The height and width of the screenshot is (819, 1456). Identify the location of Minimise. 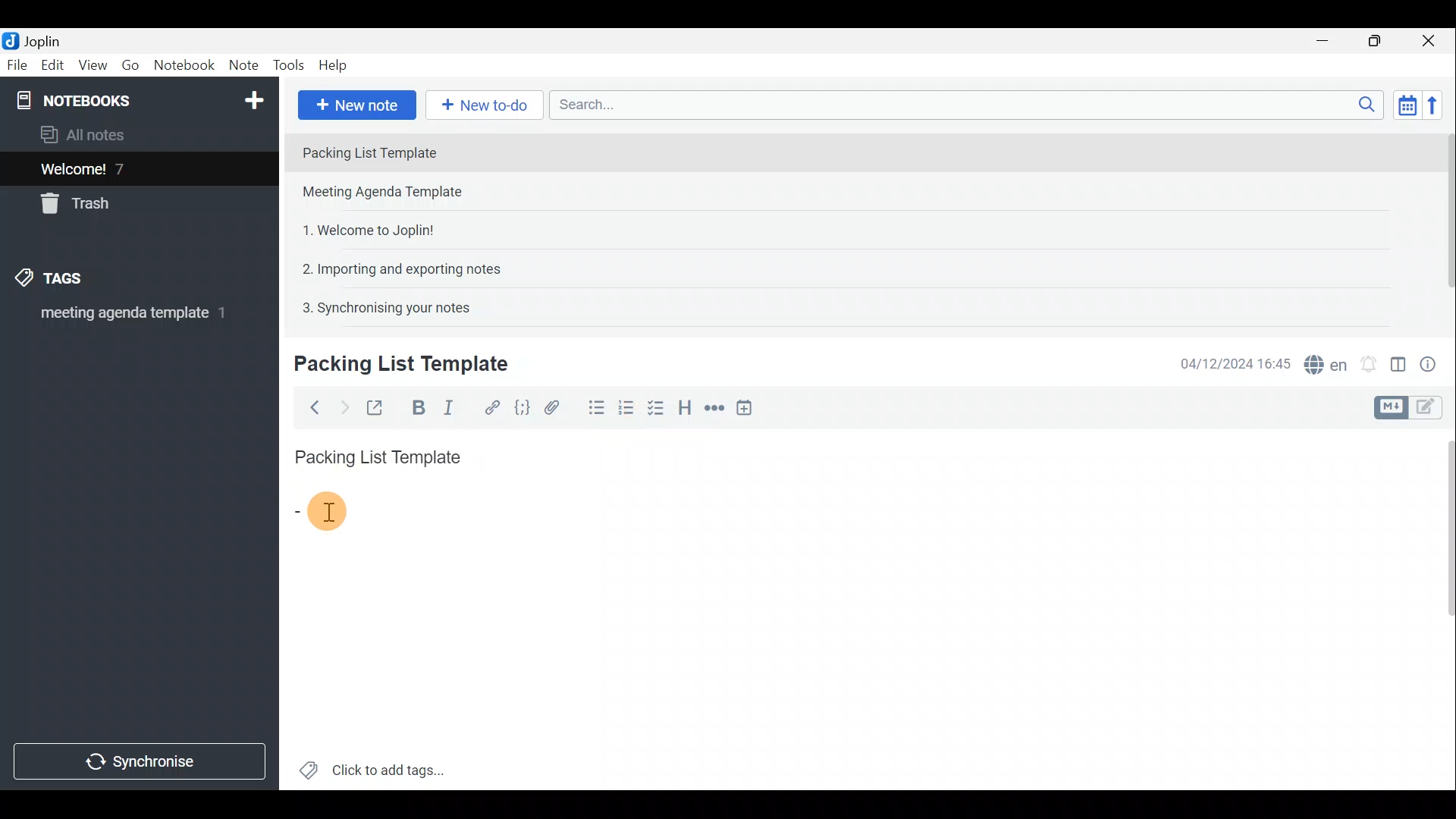
(1330, 43).